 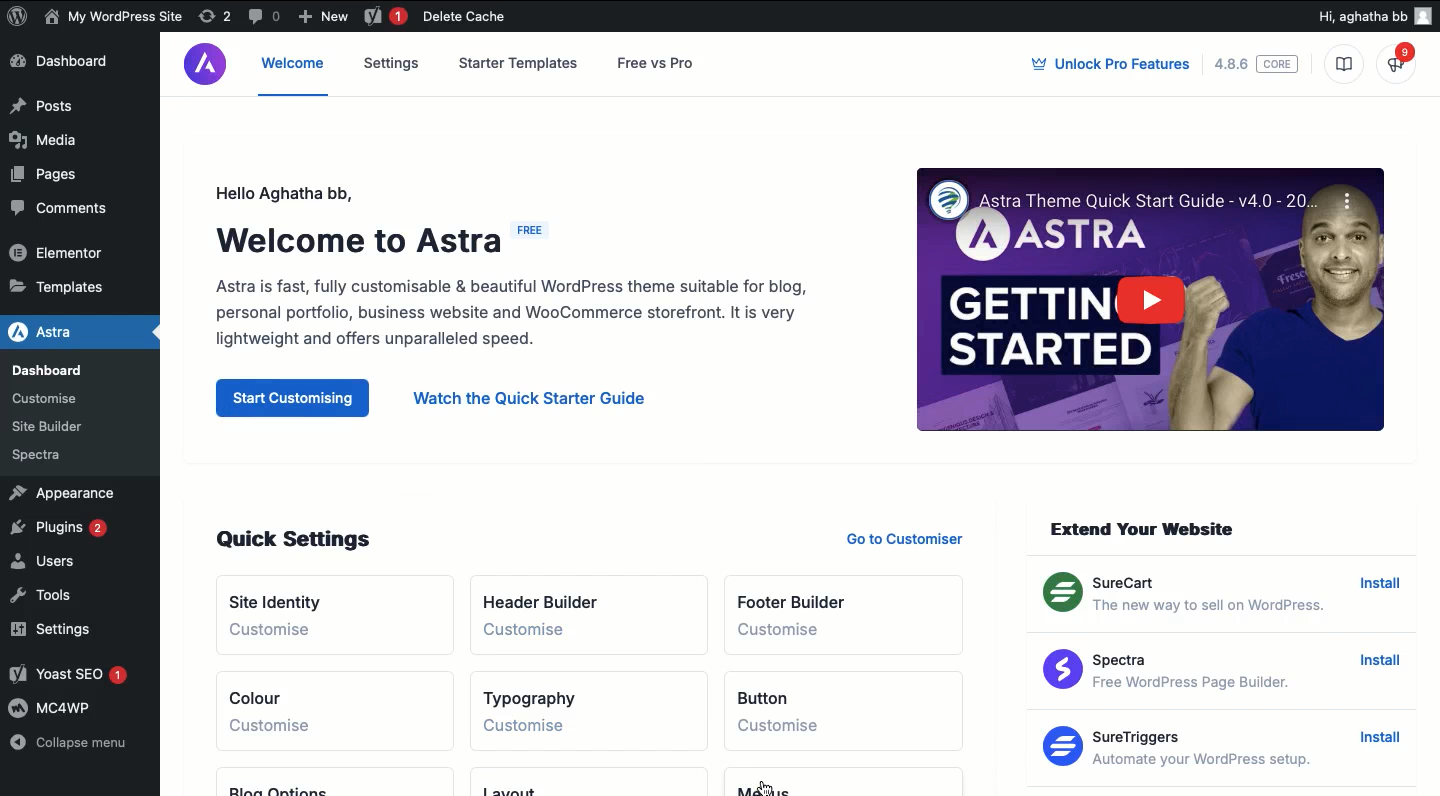 What do you see at coordinates (1187, 748) in the screenshot?
I see `SureTrigger` at bounding box center [1187, 748].